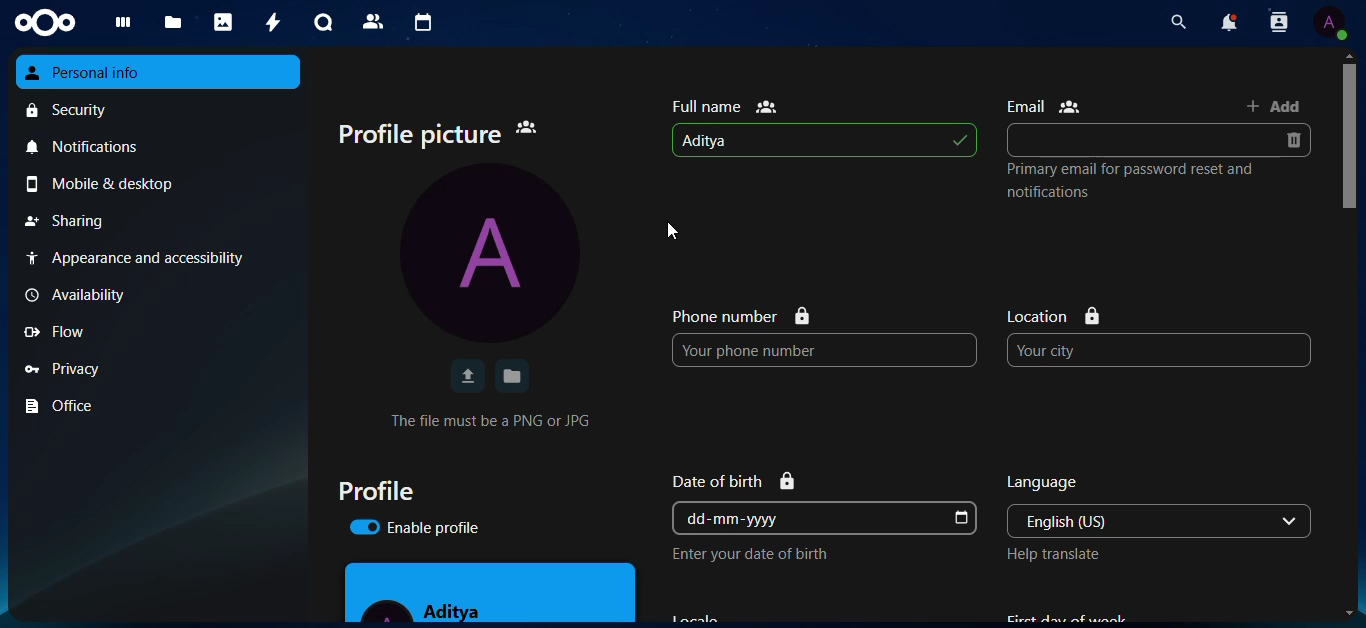 The width and height of the screenshot is (1366, 628). I want to click on contact, so click(373, 22).